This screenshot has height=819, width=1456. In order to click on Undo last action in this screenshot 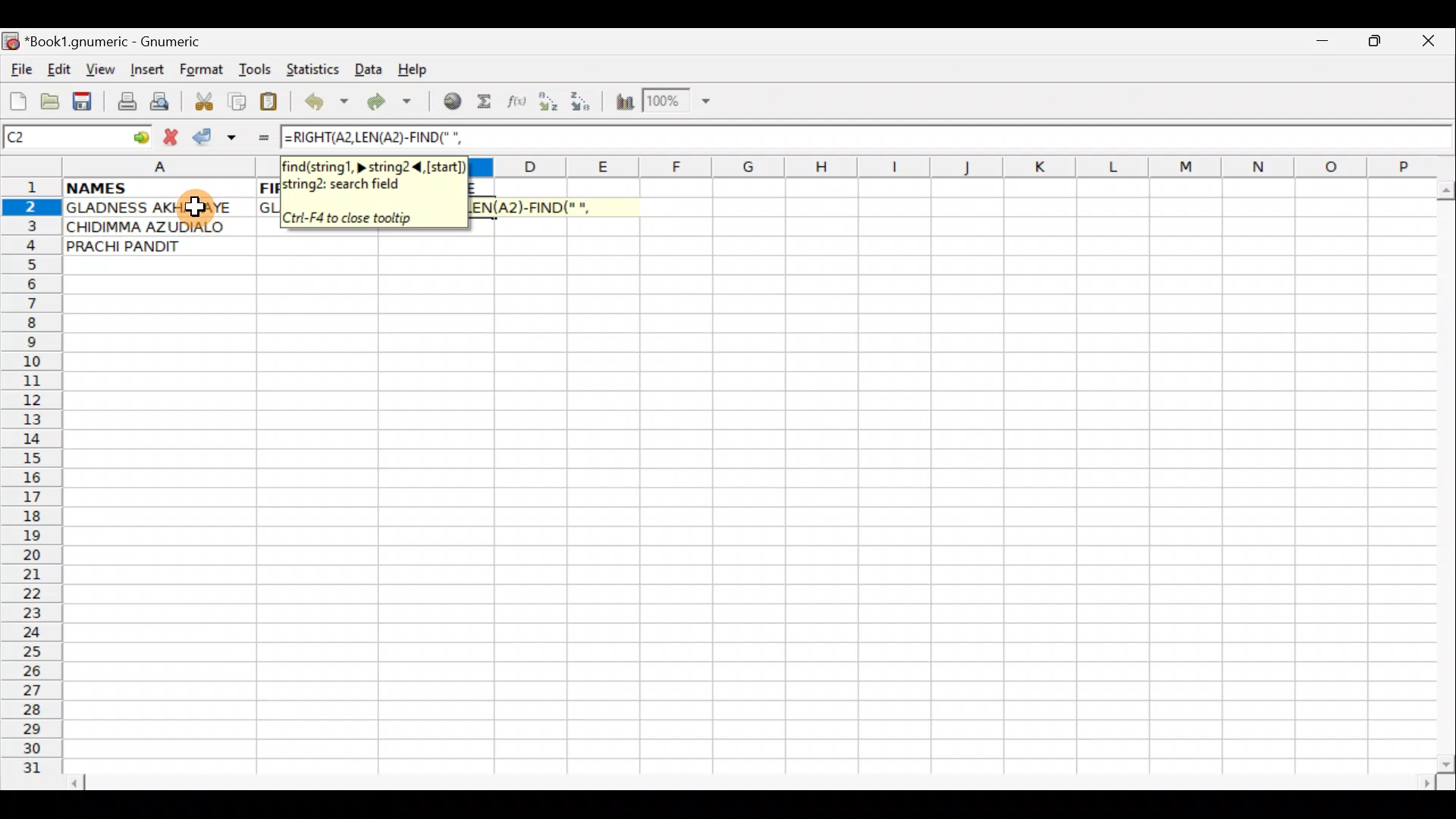, I will do `click(328, 104)`.